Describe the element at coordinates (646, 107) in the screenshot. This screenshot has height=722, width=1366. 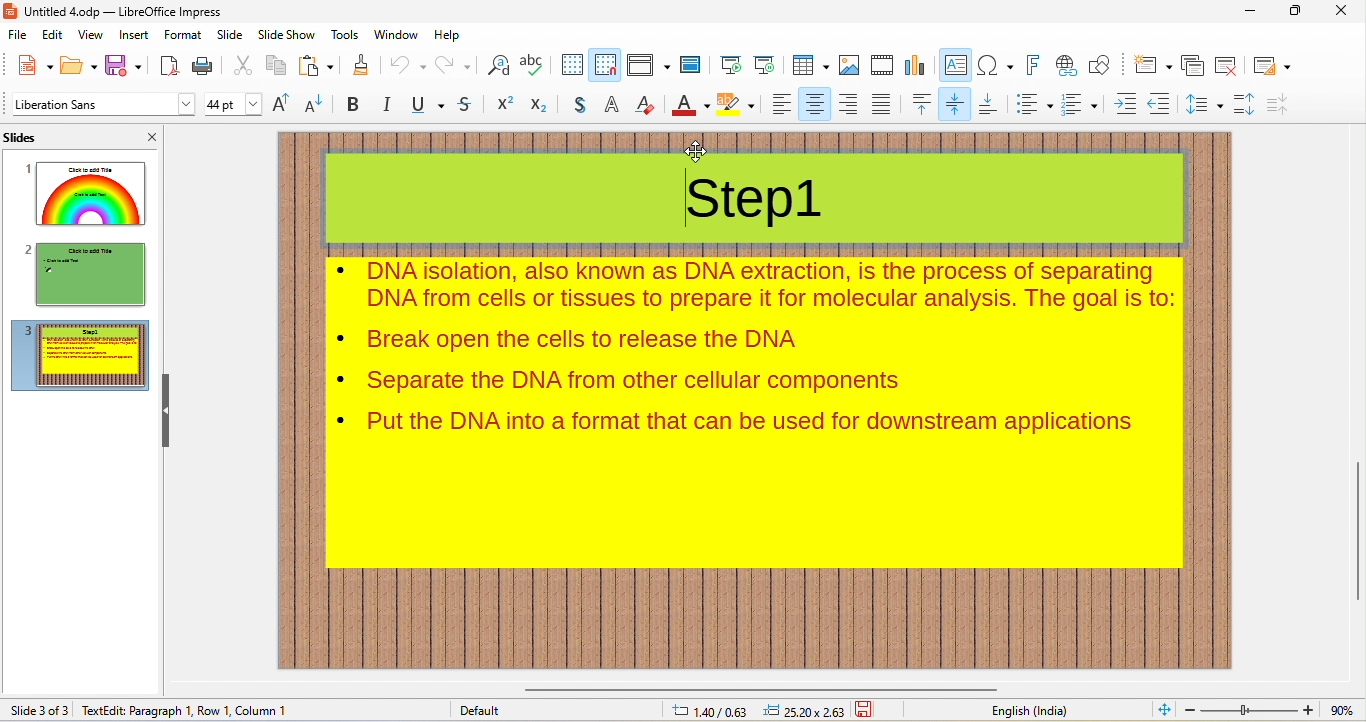
I see `clear direct formatting` at that location.